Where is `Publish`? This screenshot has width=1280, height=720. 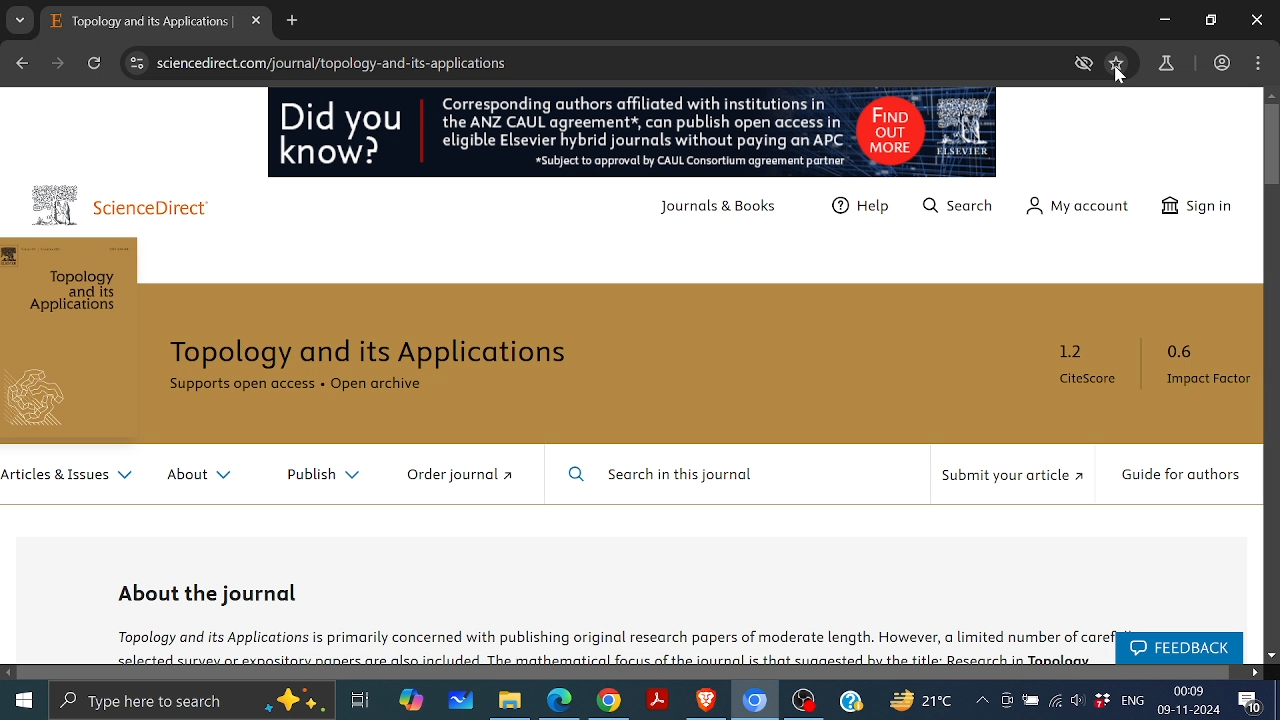
Publish is located at coordinates (315, 475).